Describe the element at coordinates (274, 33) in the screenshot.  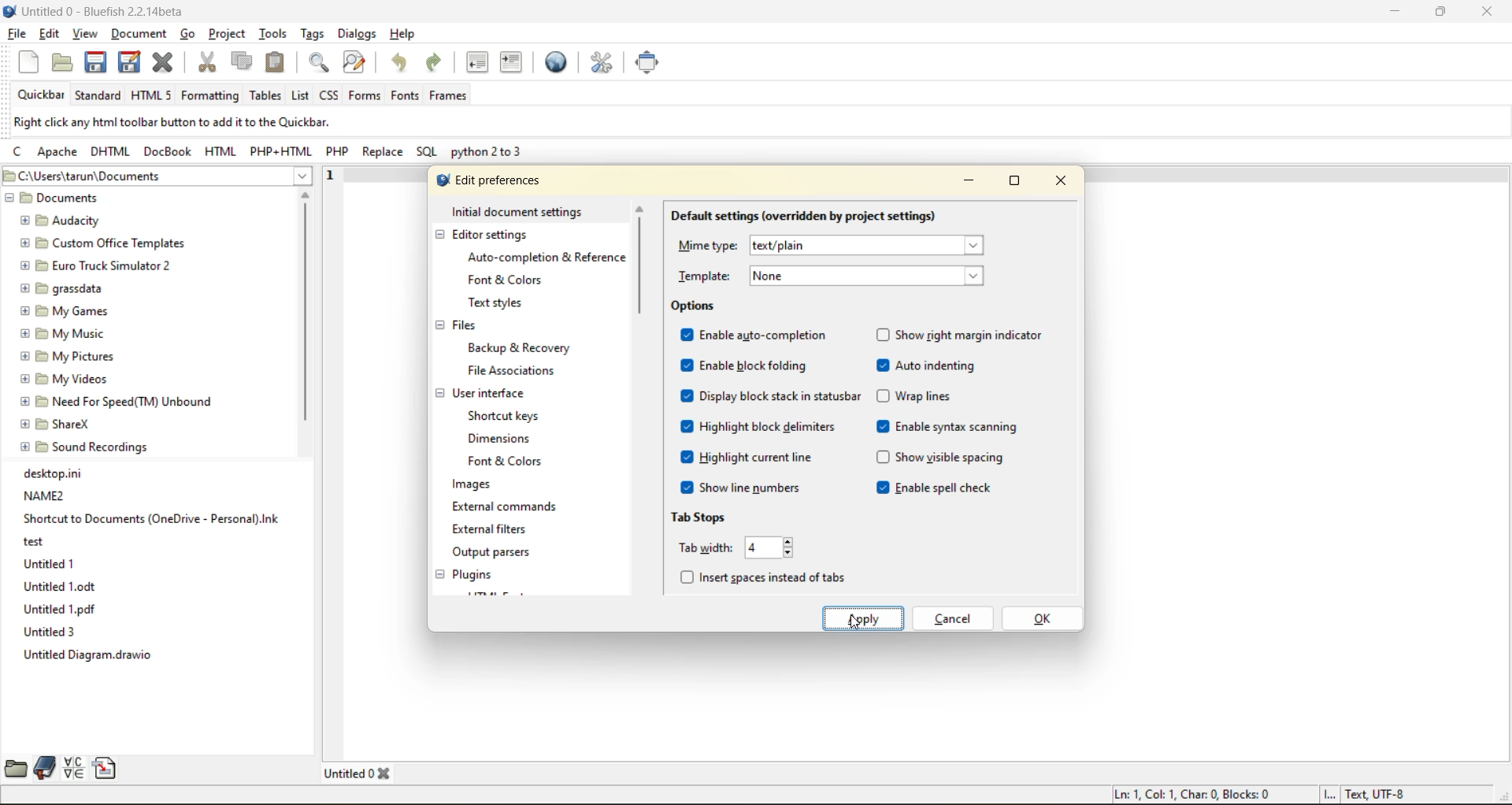
I see `tools` at that location.